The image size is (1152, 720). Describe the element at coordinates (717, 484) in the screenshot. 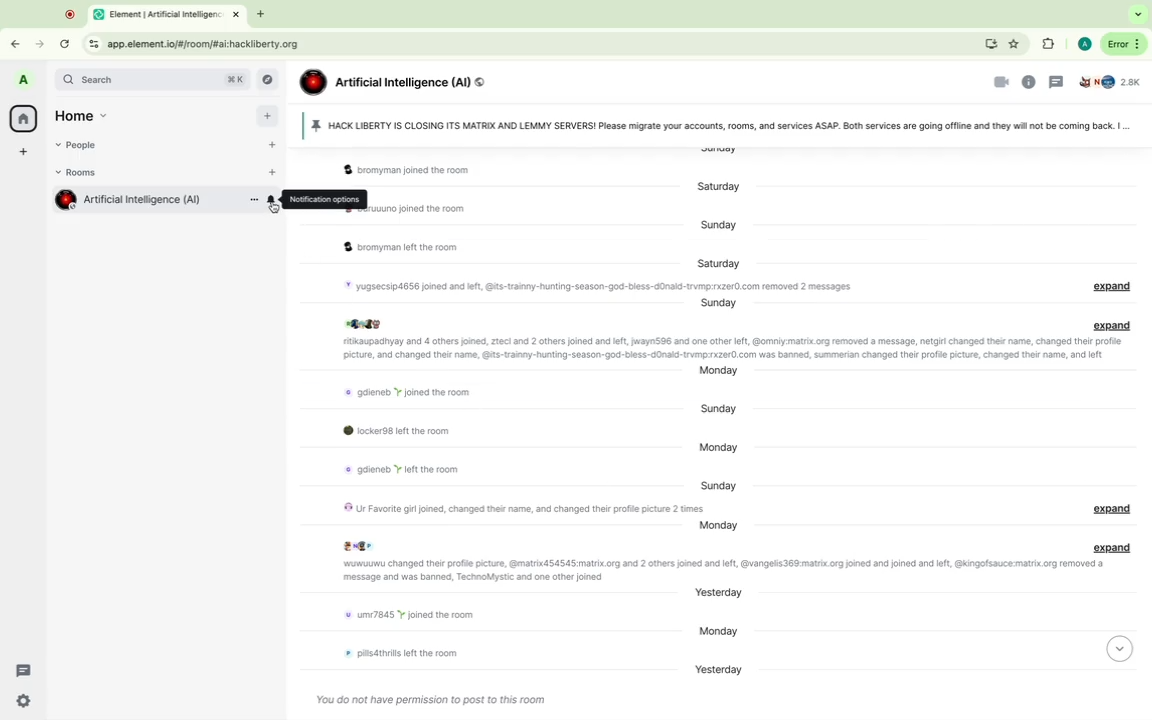

I see `Day` at that location.